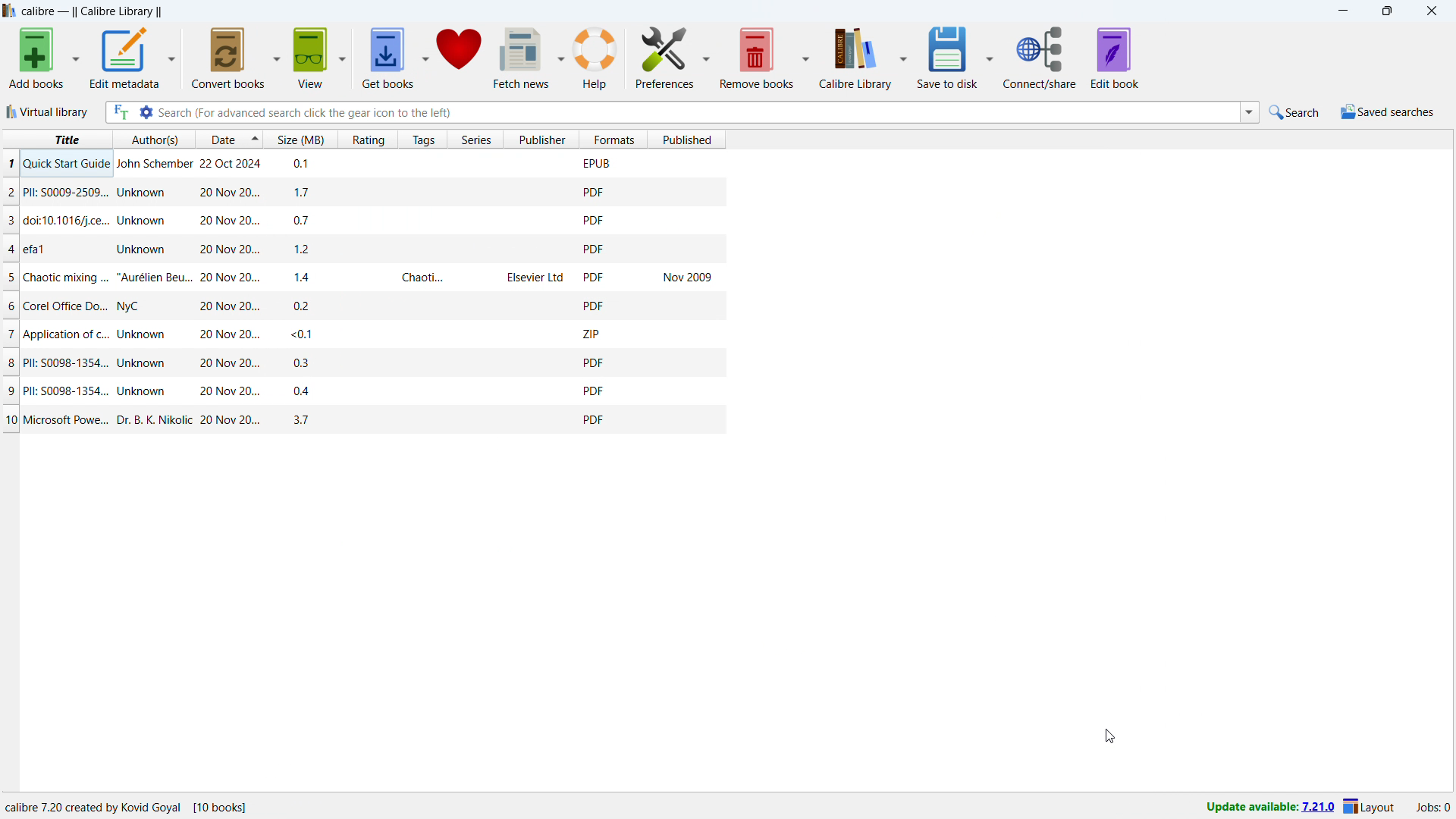  What do you see at coordinates (138, 805) in the screenshot?
I see `calibre 7.20 created by Kovid goyal (10 books)` at bounding box center [138, 805].